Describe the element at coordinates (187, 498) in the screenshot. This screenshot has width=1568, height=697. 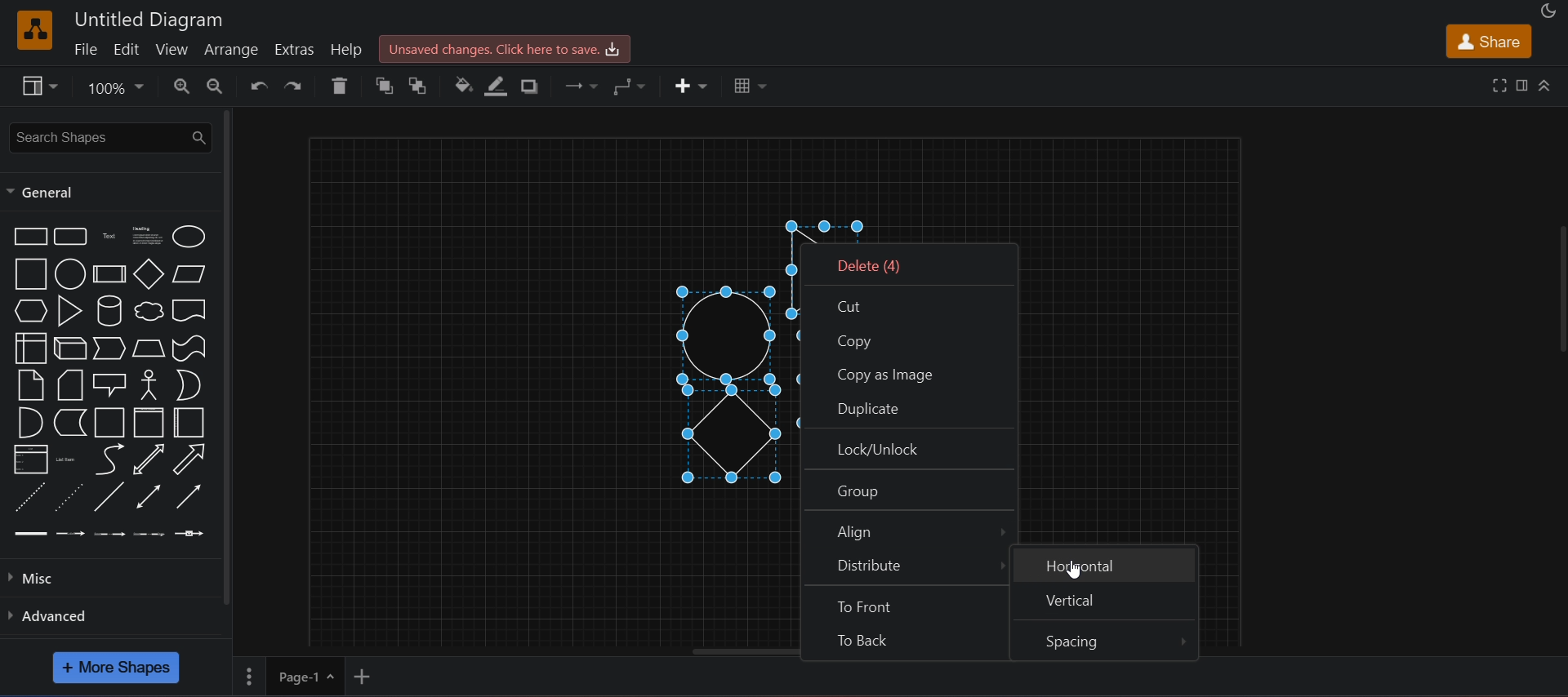
I see `directional ` at that location.